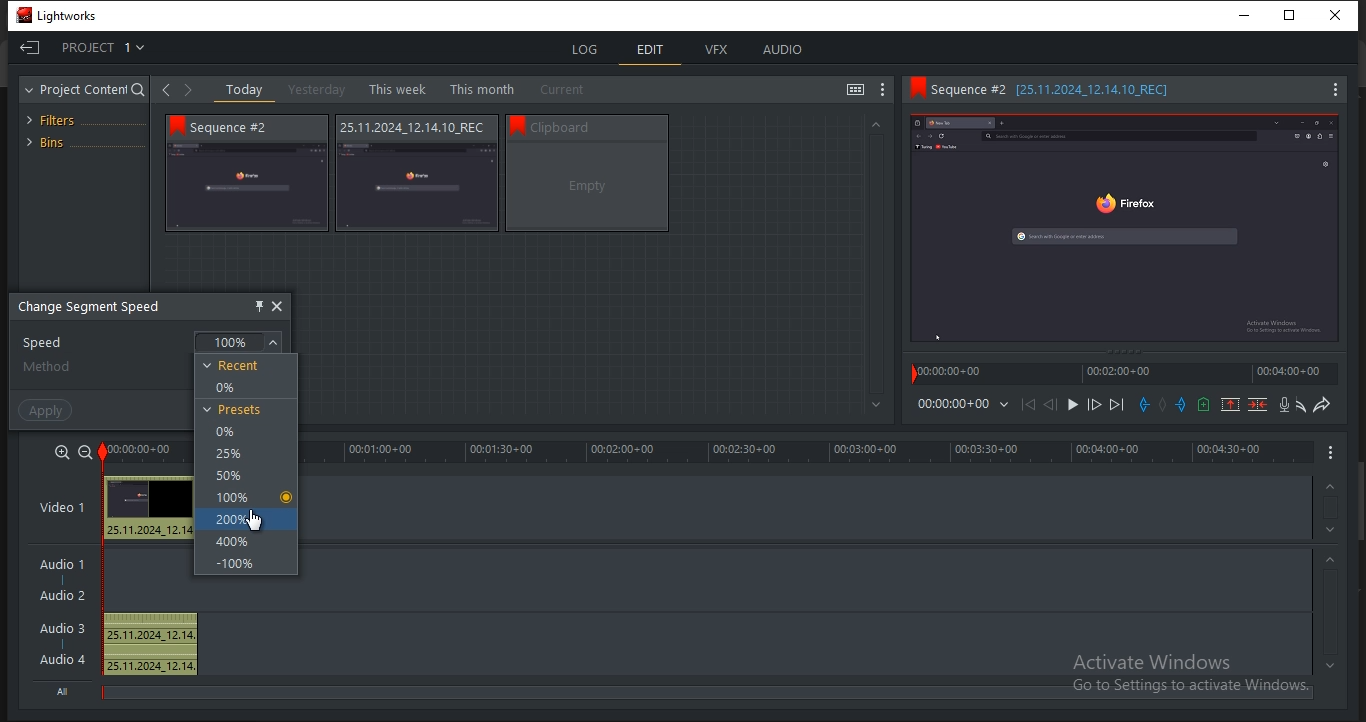  I want to click on this week, so click(396, 88).